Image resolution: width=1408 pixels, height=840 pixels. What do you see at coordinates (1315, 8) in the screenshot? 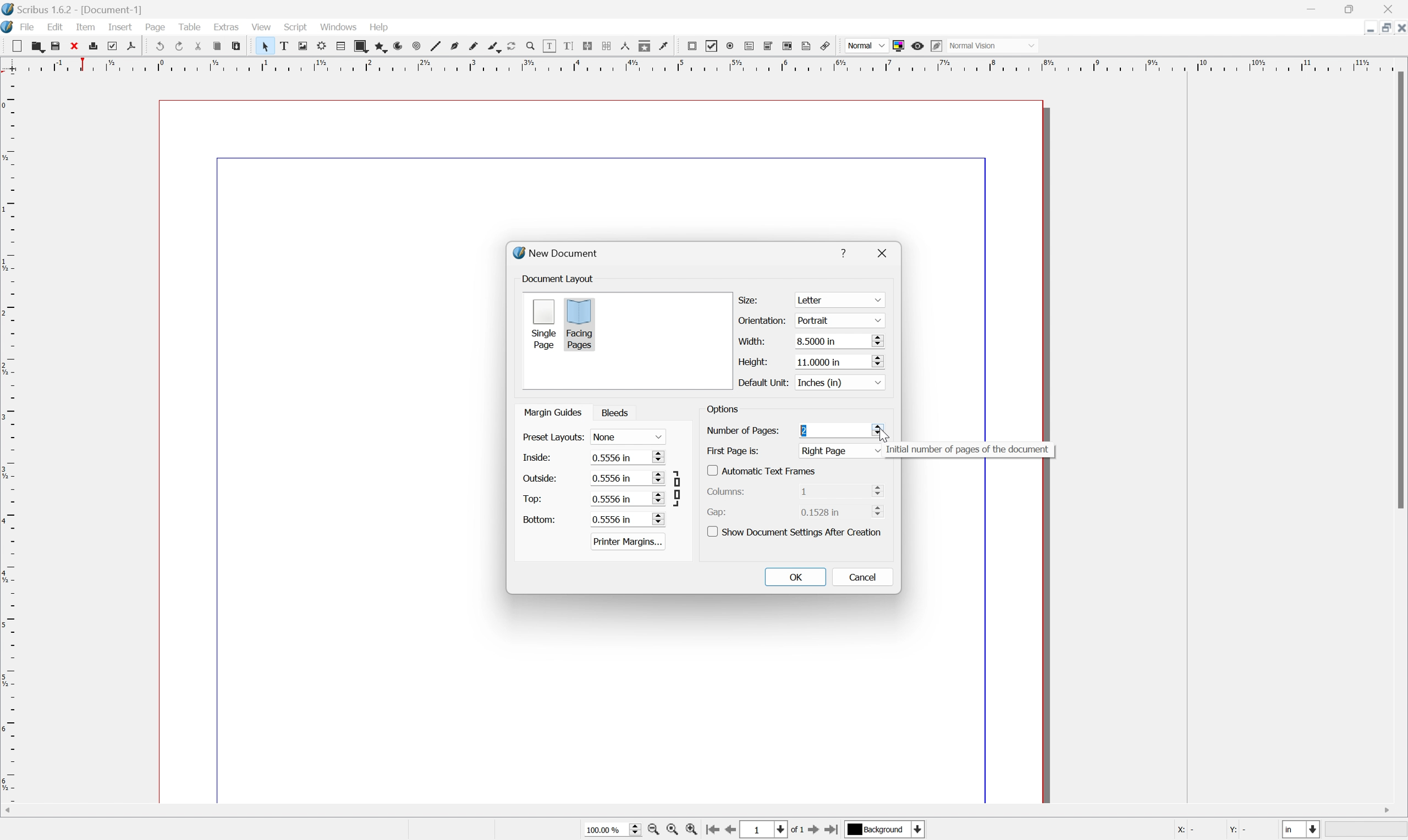
I see `Minimize` at bounding box center [1315, 8].